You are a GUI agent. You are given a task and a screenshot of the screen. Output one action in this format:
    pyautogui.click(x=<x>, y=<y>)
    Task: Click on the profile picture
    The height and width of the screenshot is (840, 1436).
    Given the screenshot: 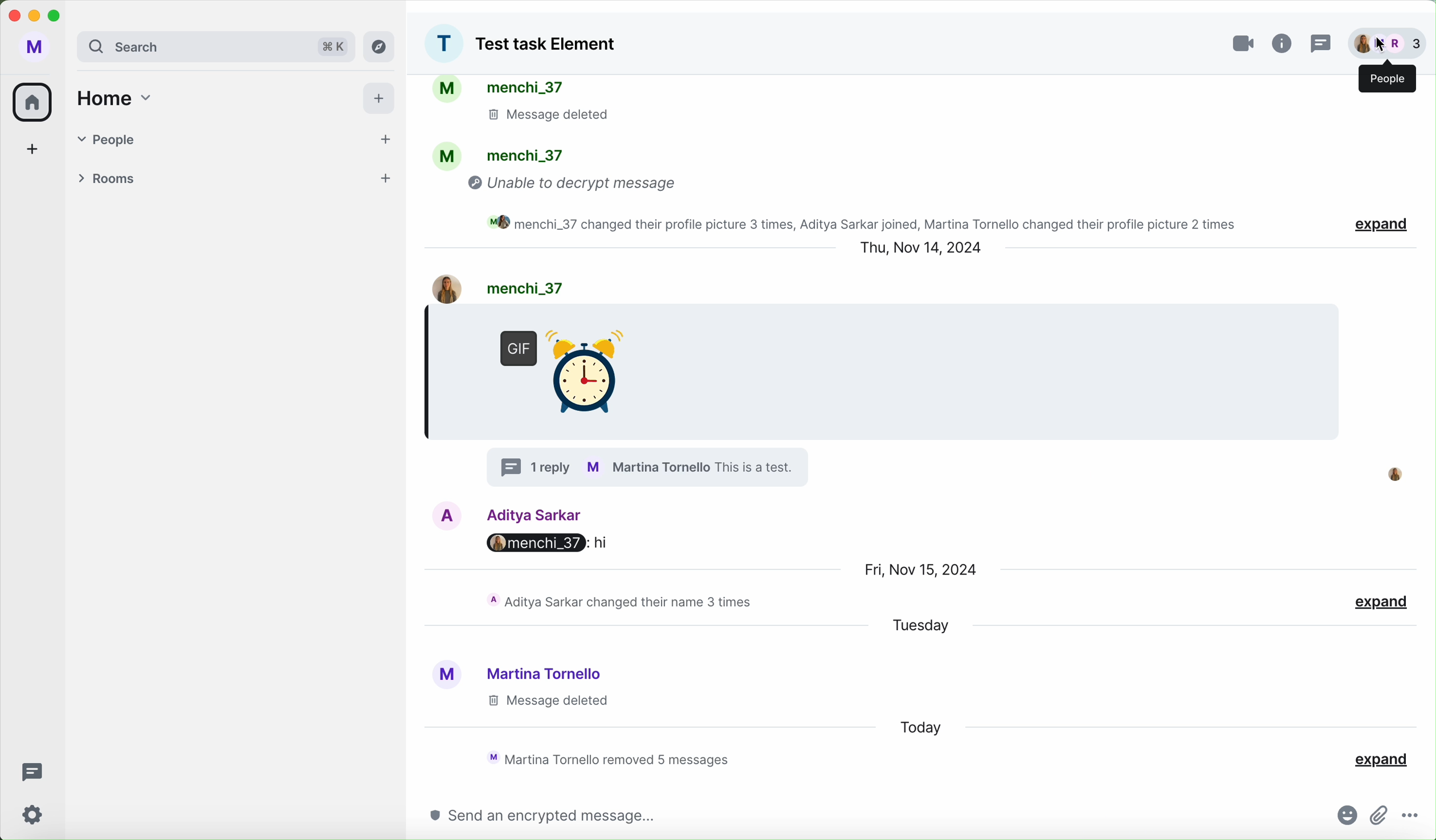 What is the action you would take?
    pyautogui.click(x=444, y=676)
    